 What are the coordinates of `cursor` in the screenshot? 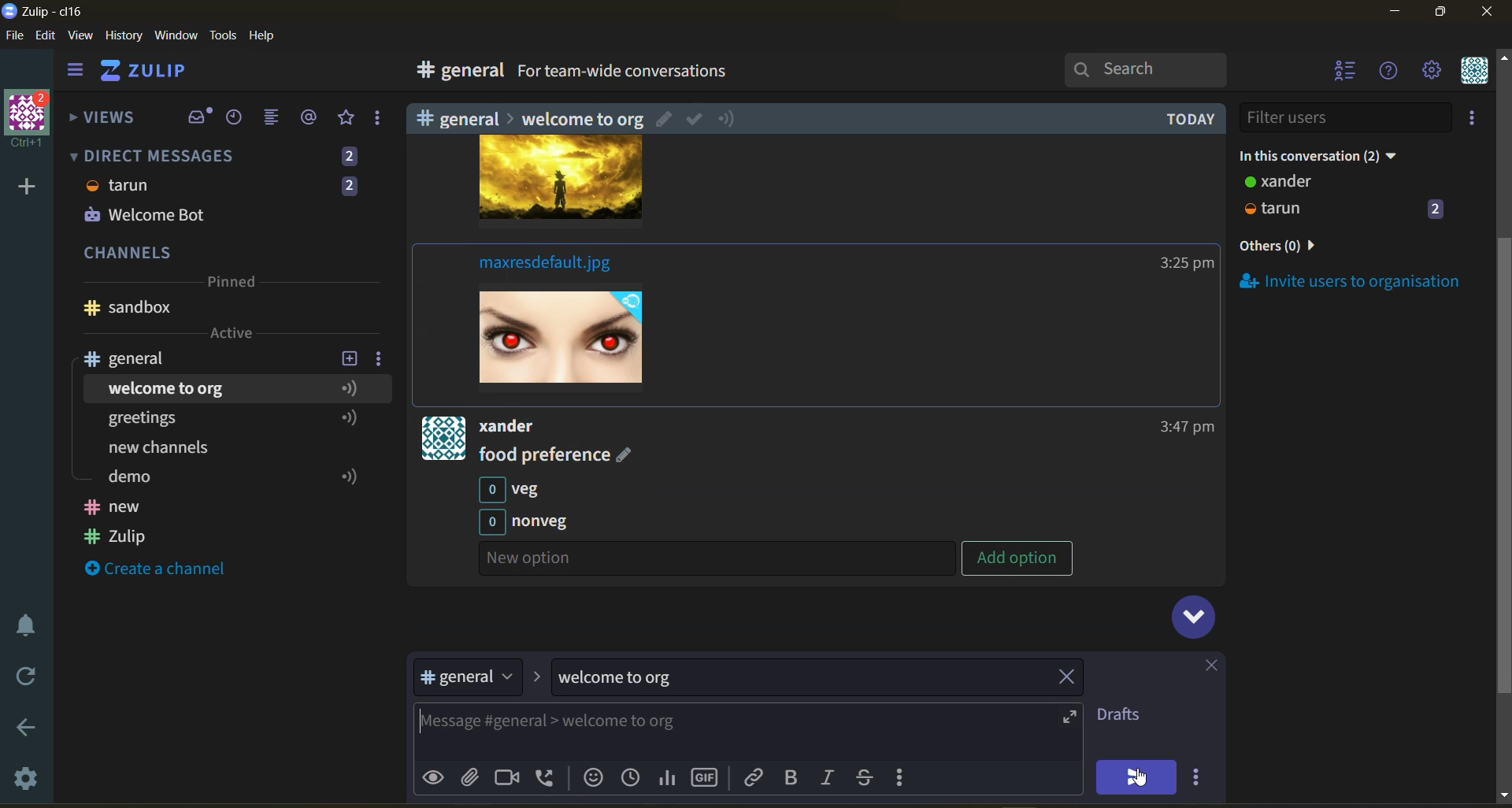 It's located at (1141, 780).